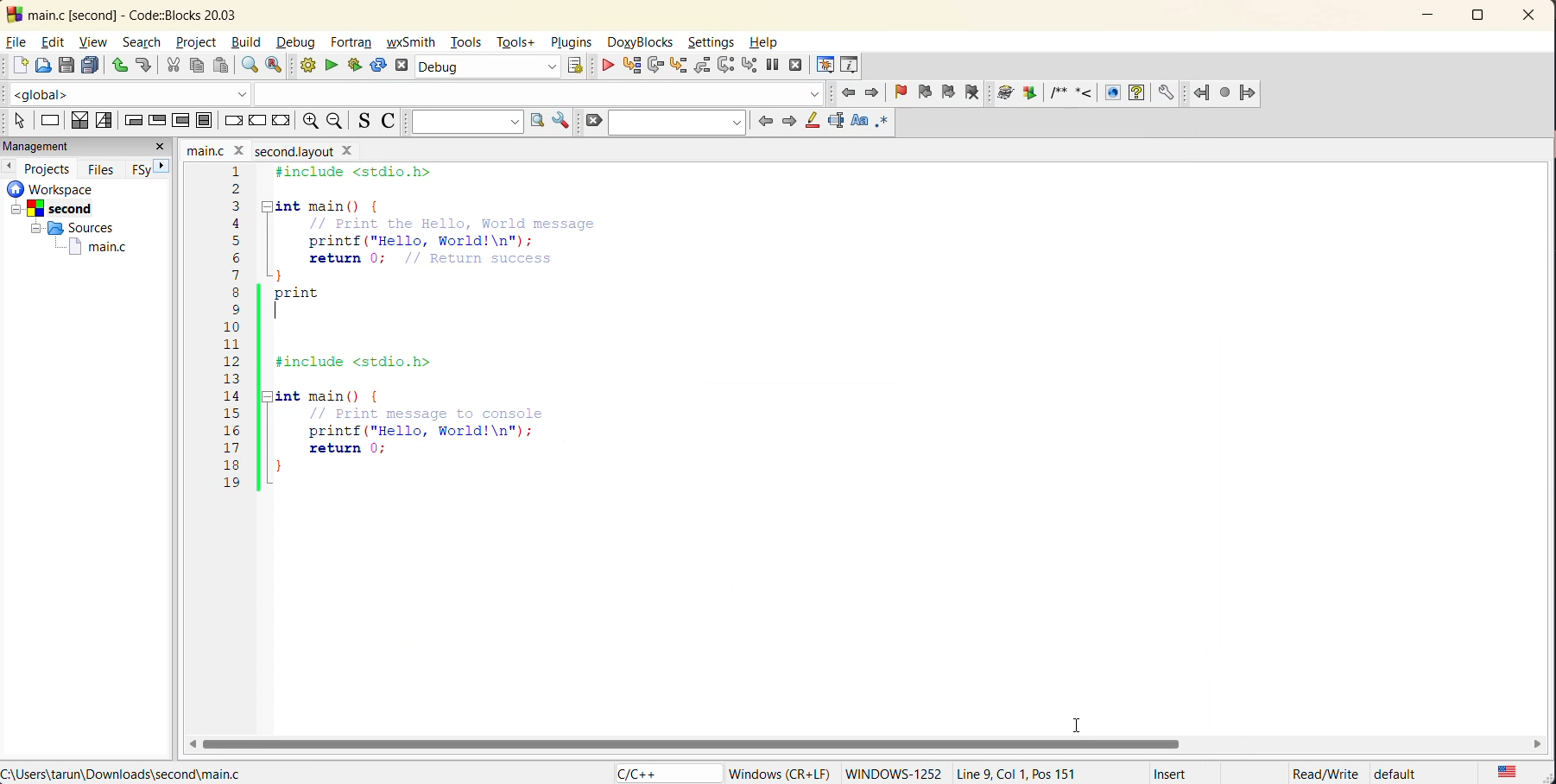  Describe the element at coordinates (537, 121) in the screenshot. I see `run search` at that location.